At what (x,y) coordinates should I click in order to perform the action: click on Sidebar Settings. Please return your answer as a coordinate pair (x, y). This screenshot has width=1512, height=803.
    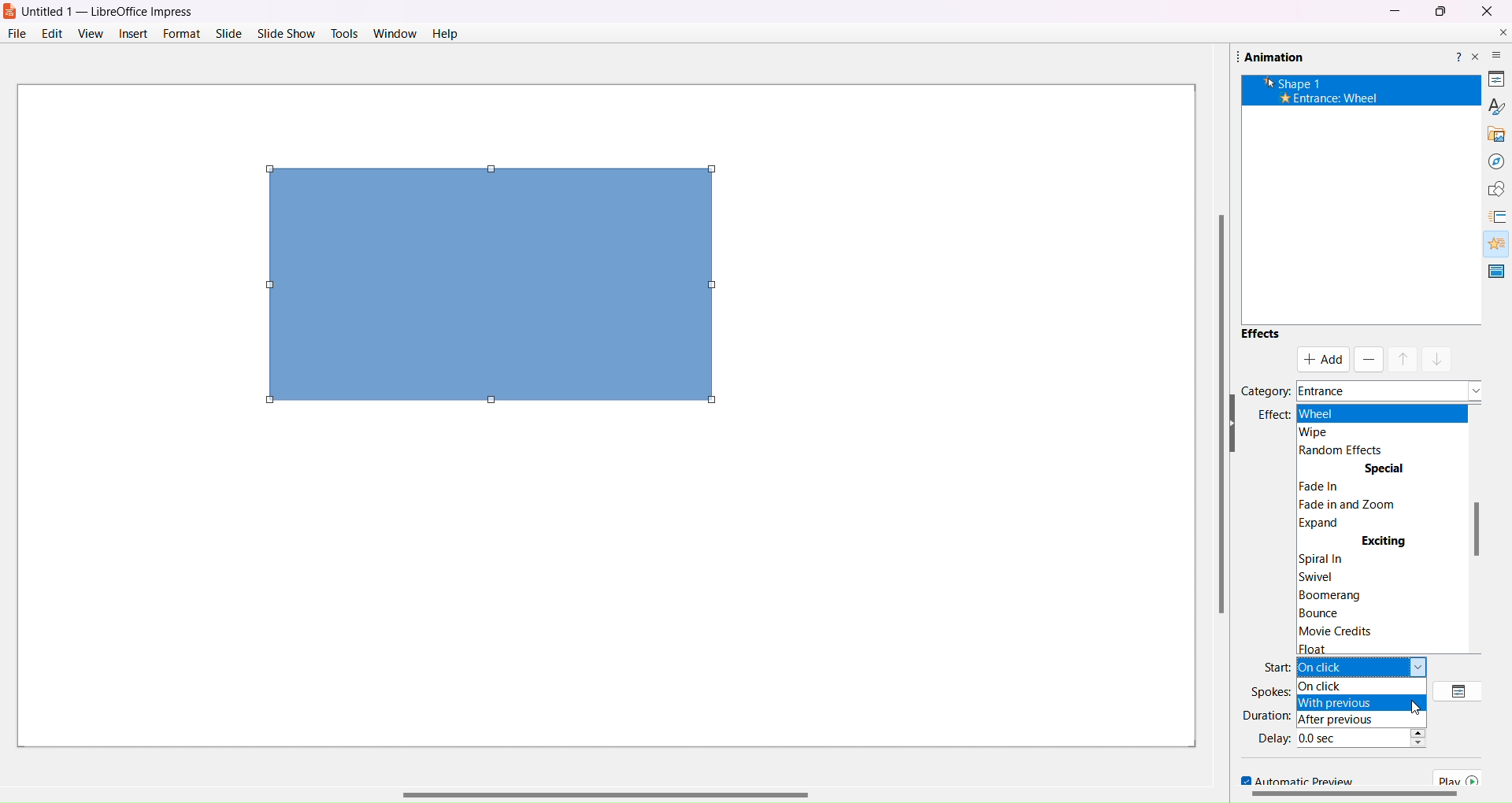
    Looking at the image, I should click on (1488, 49).